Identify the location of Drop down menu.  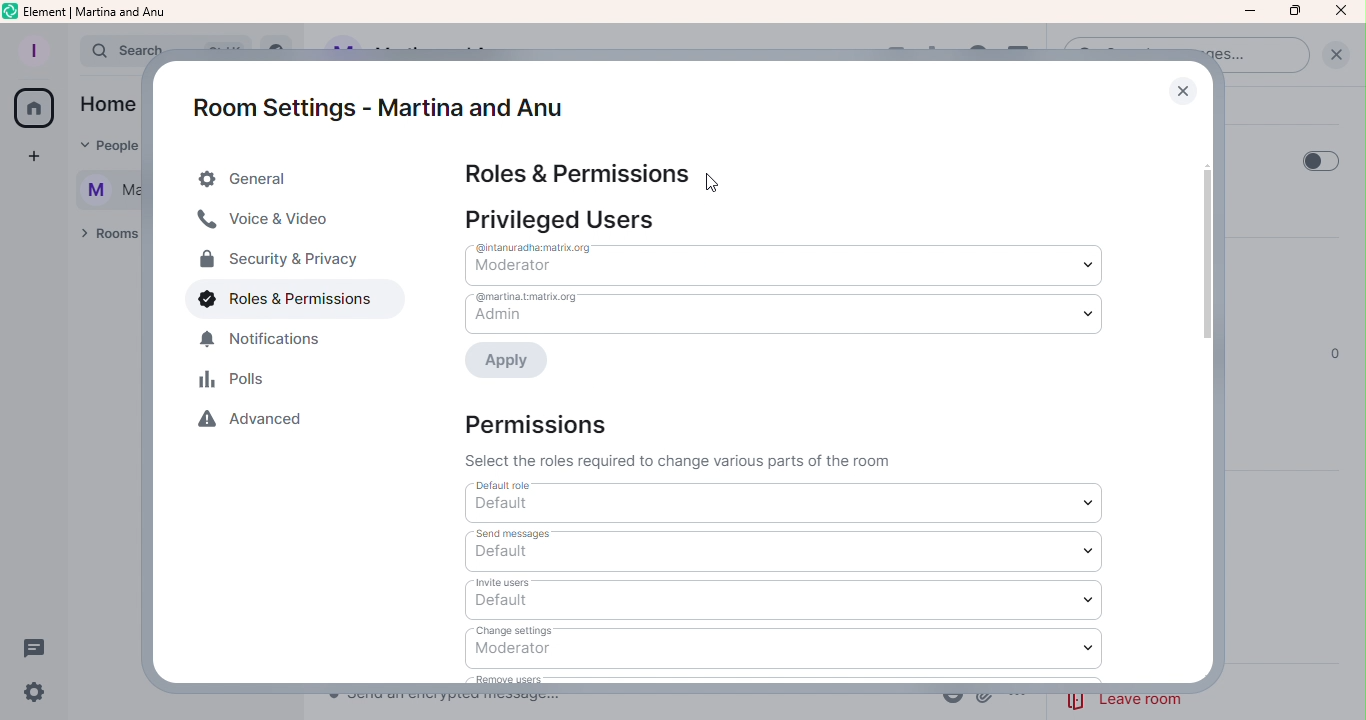
(782, 313).